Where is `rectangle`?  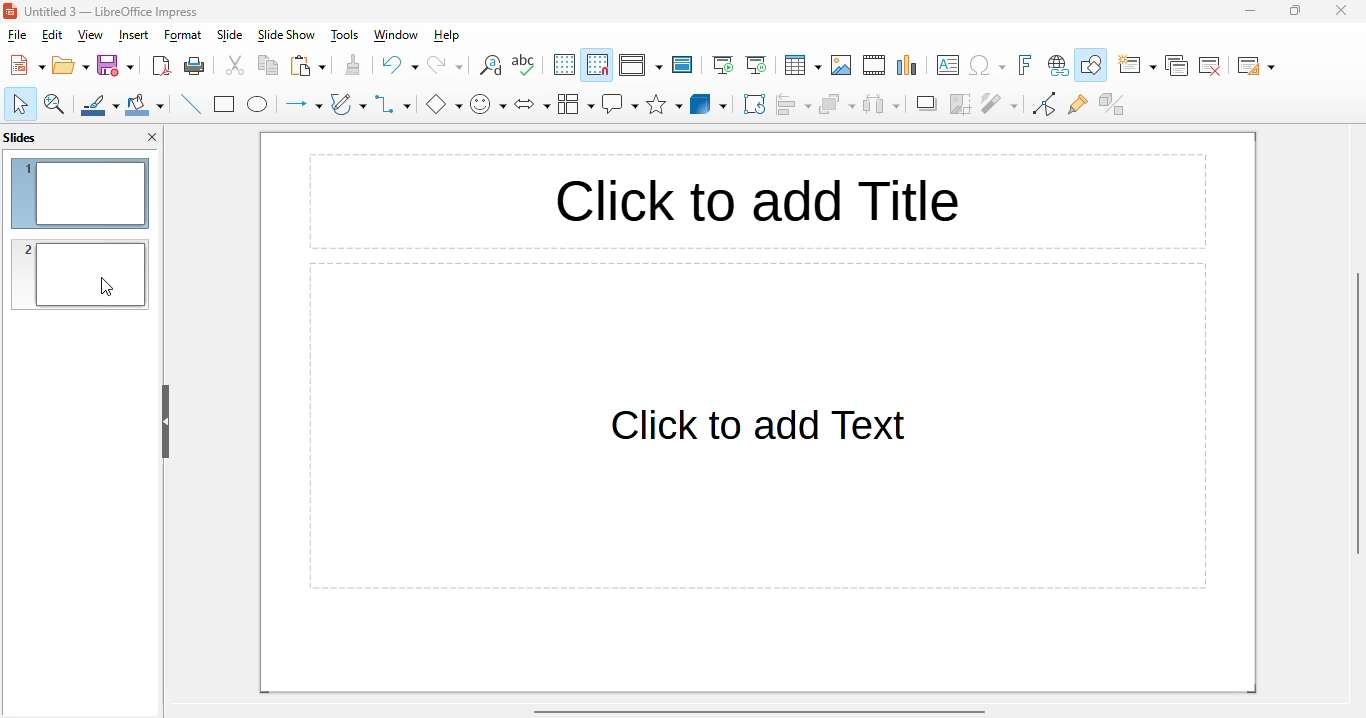 rectangle is located at coordinates (224, 105).